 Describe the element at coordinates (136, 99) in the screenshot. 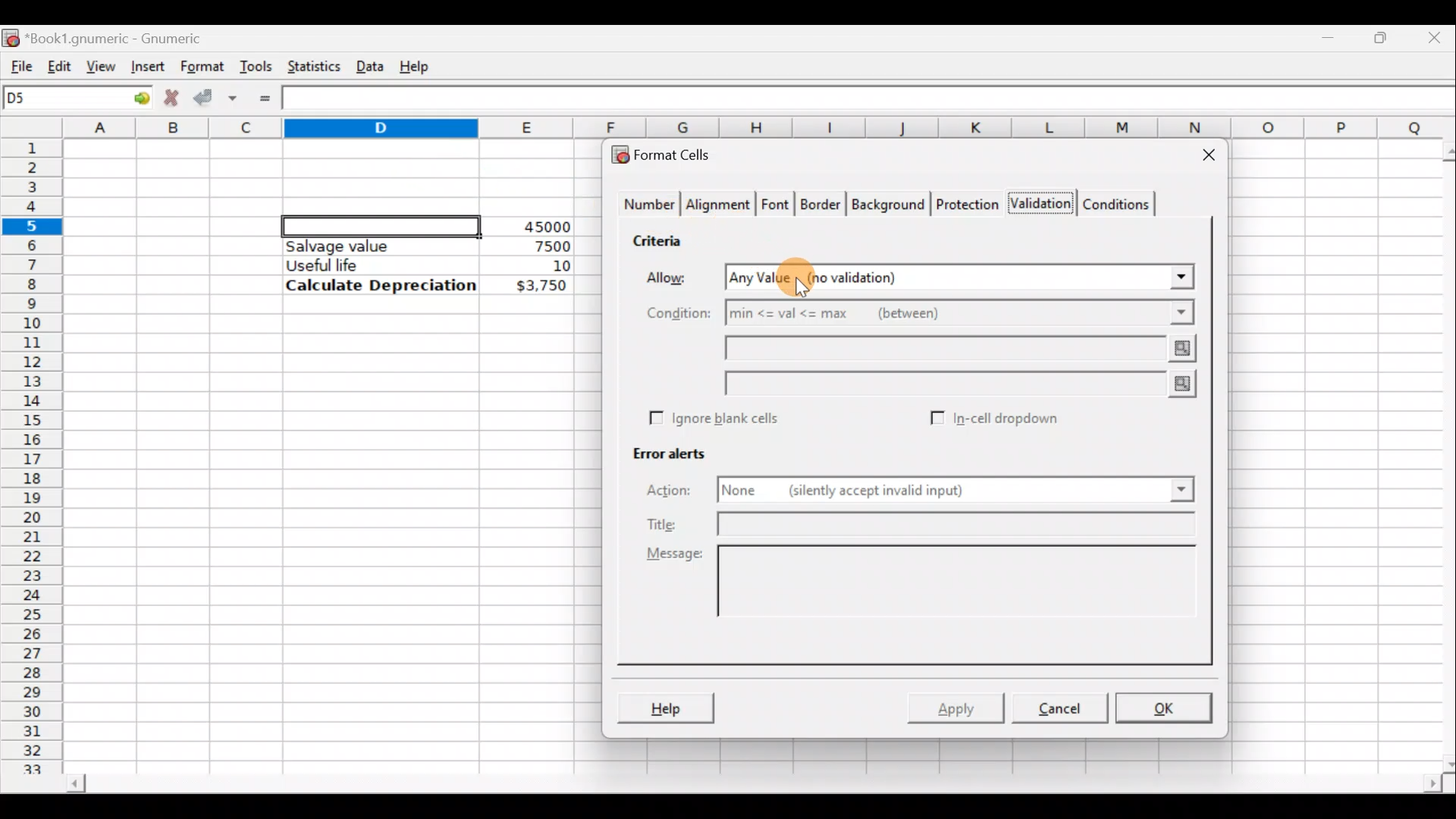

I see `Go to` at that location.